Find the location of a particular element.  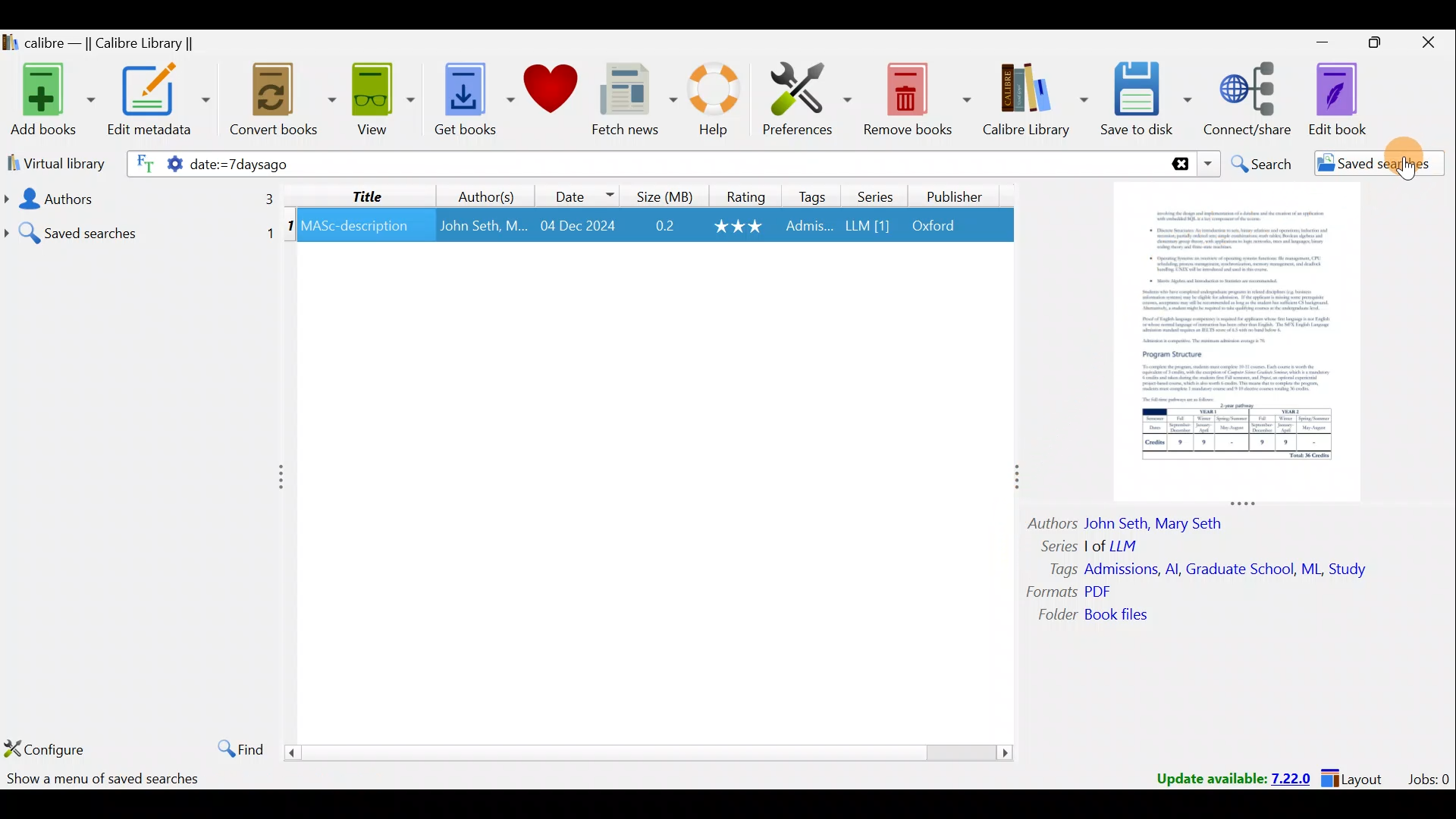

04 Dec 2024 is located at coordinates (578, 227).